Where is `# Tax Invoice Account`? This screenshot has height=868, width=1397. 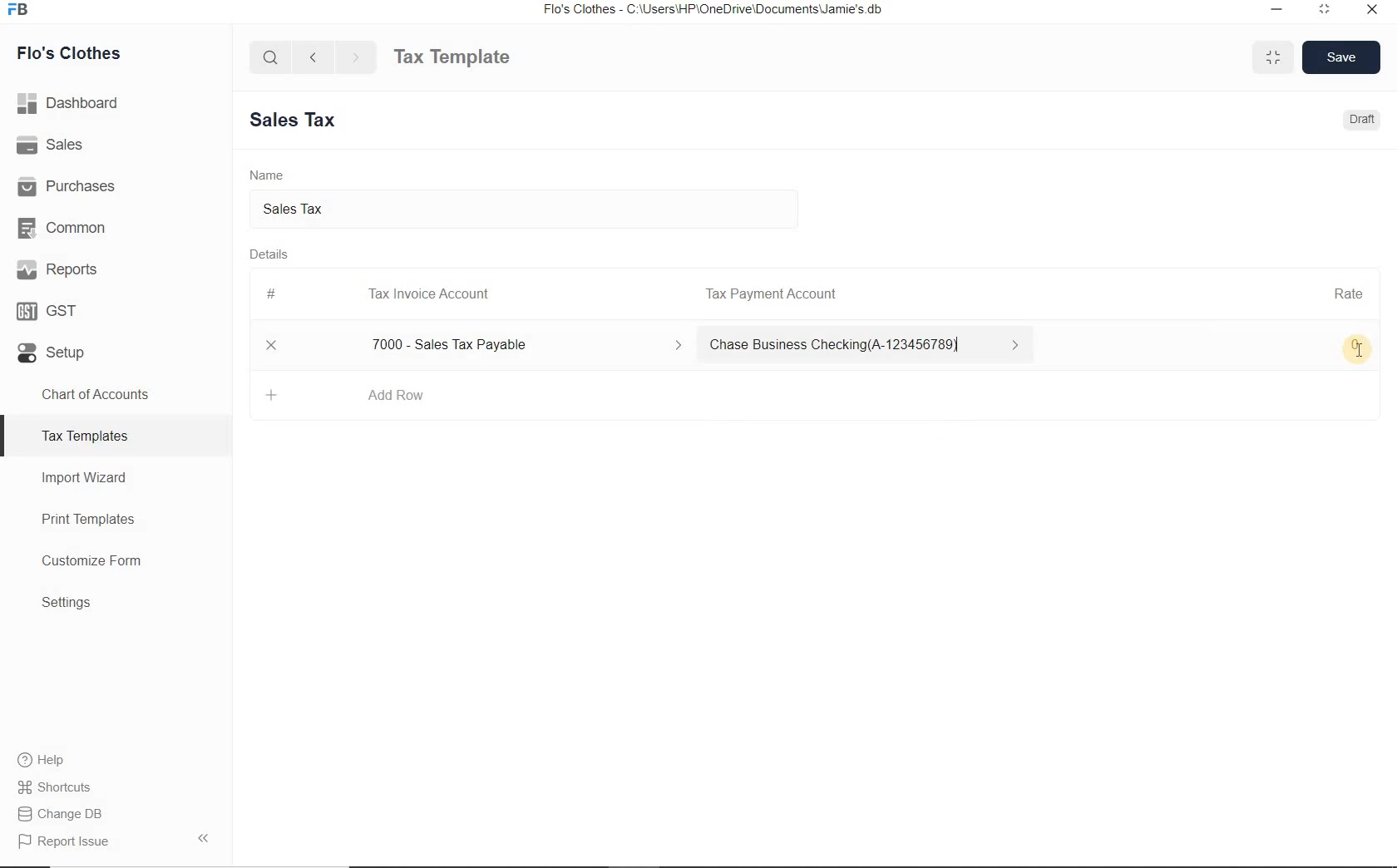 # Tax Invoice Account is located at coordinates (380, 295).